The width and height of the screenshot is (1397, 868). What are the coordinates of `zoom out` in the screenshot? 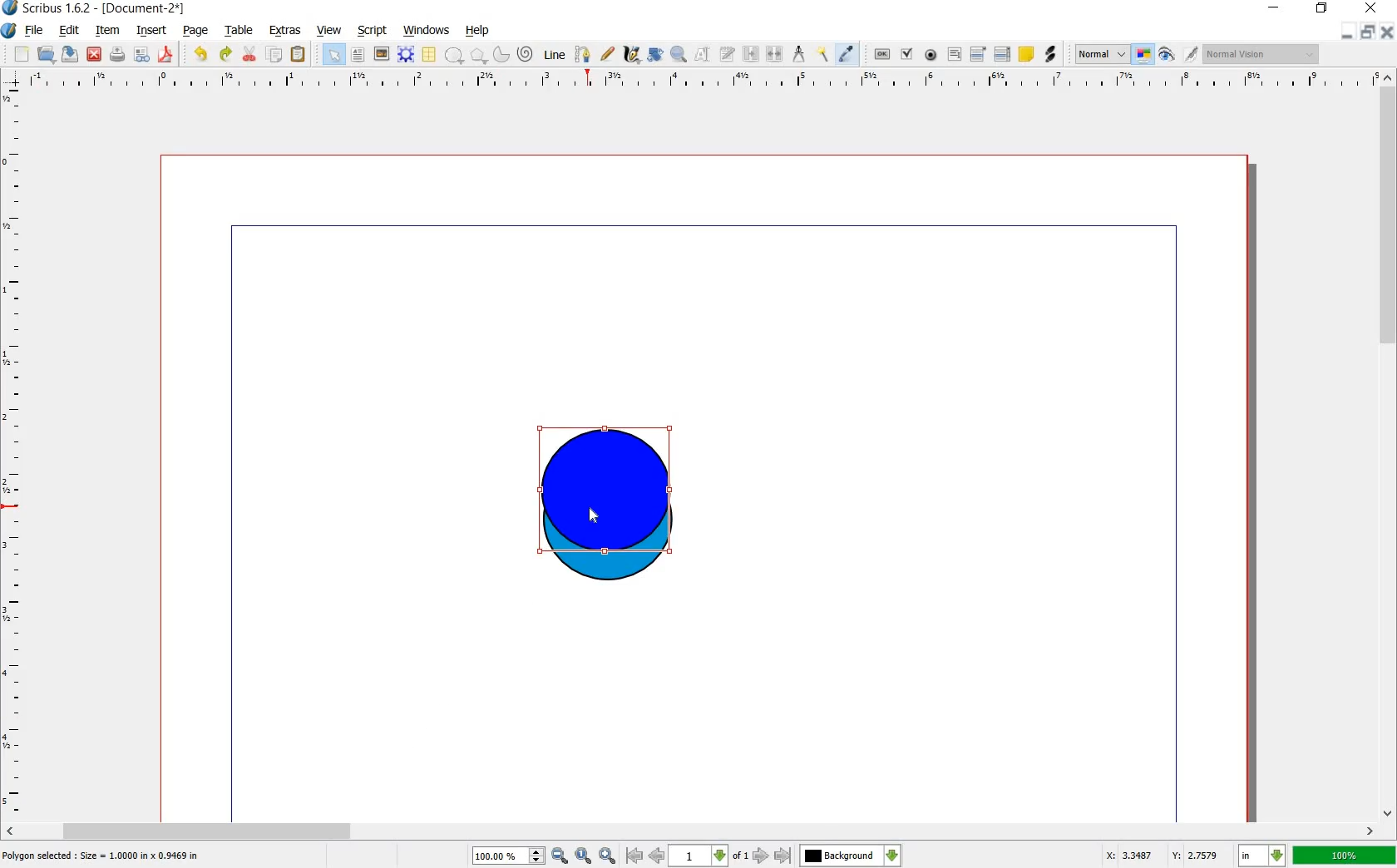 It's located at (560, 856).